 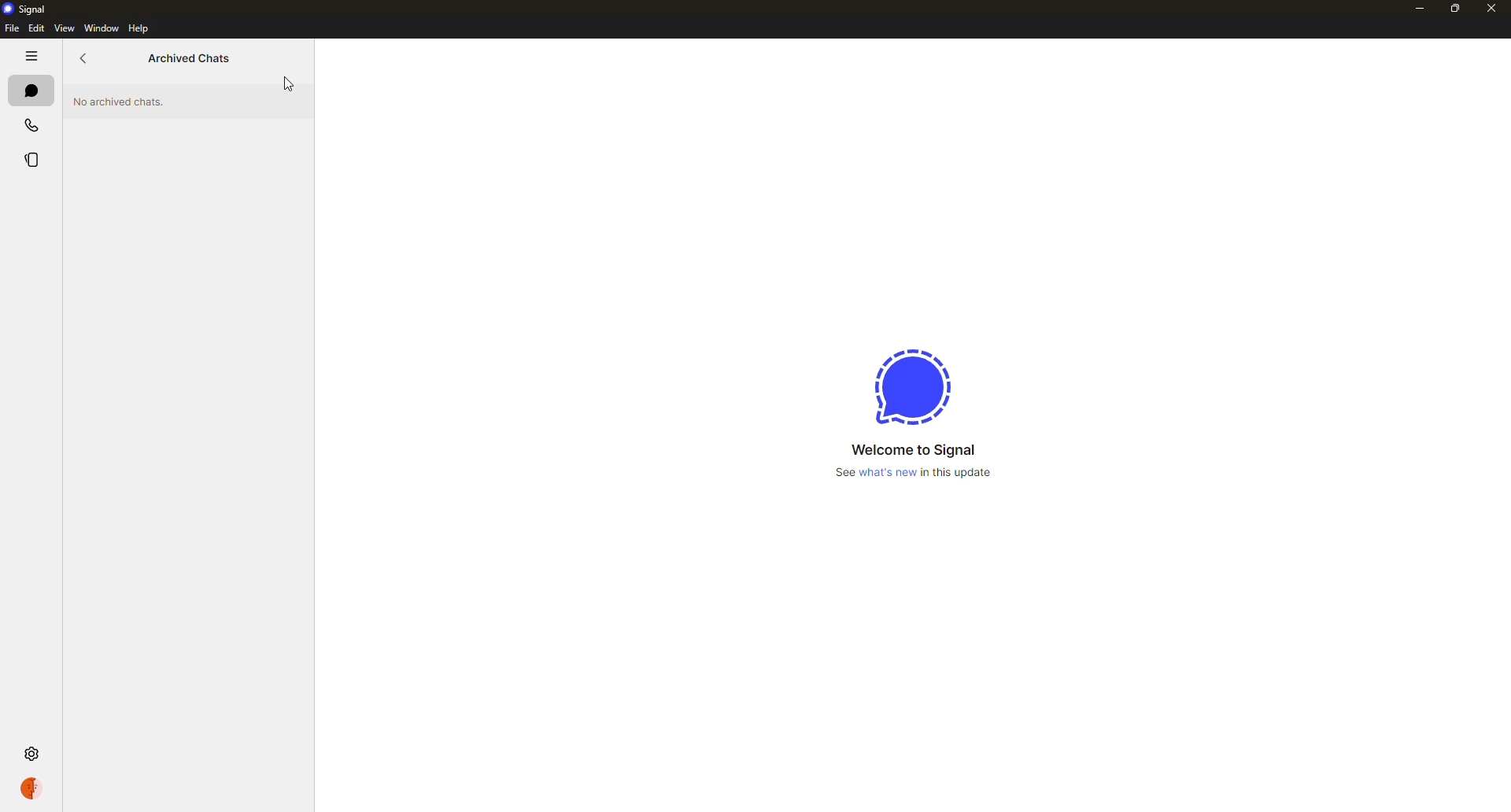 I want to click on close, so click(x=1493, y=9).